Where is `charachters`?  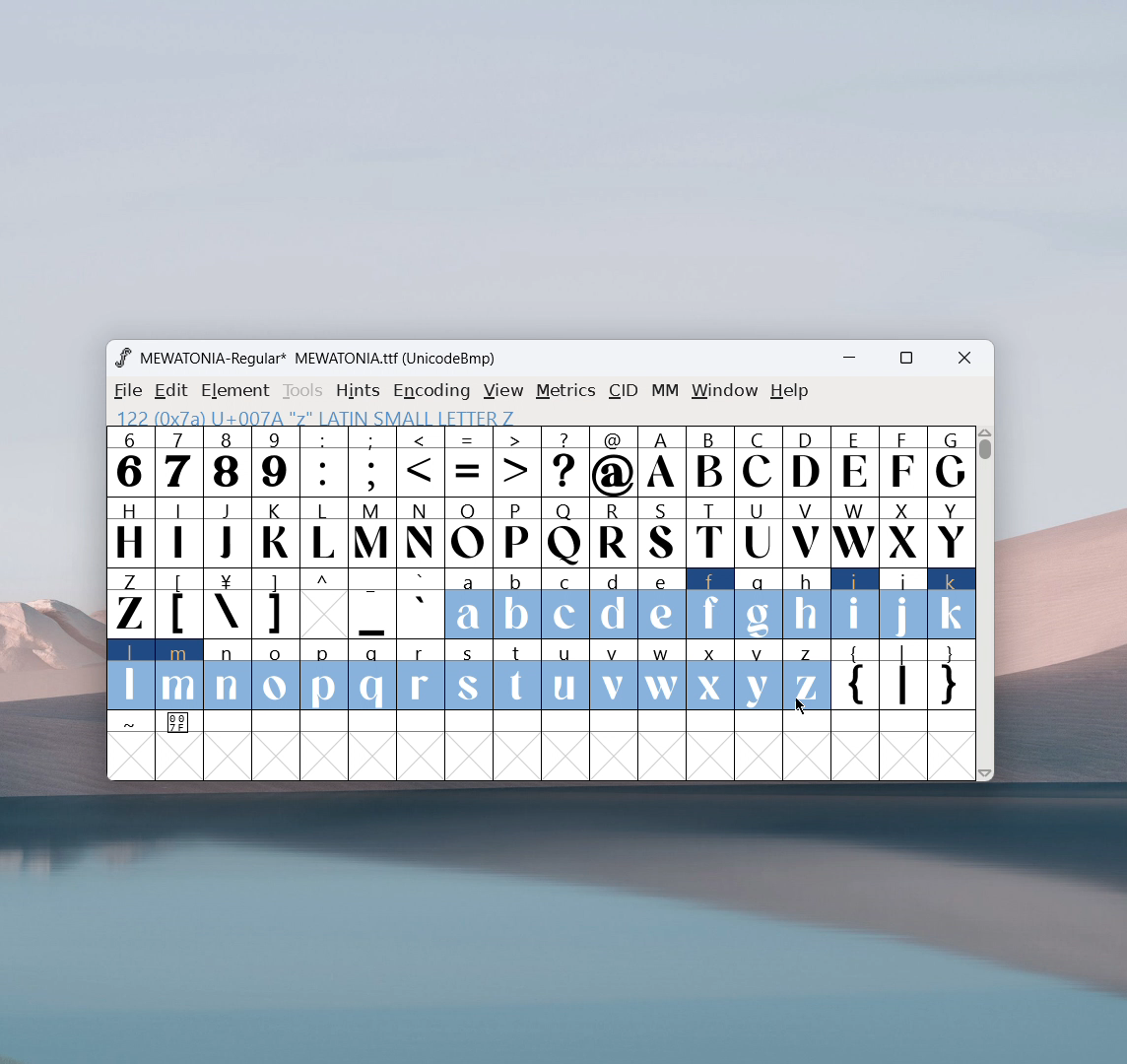
charachters is located at coordinates (324, 533).